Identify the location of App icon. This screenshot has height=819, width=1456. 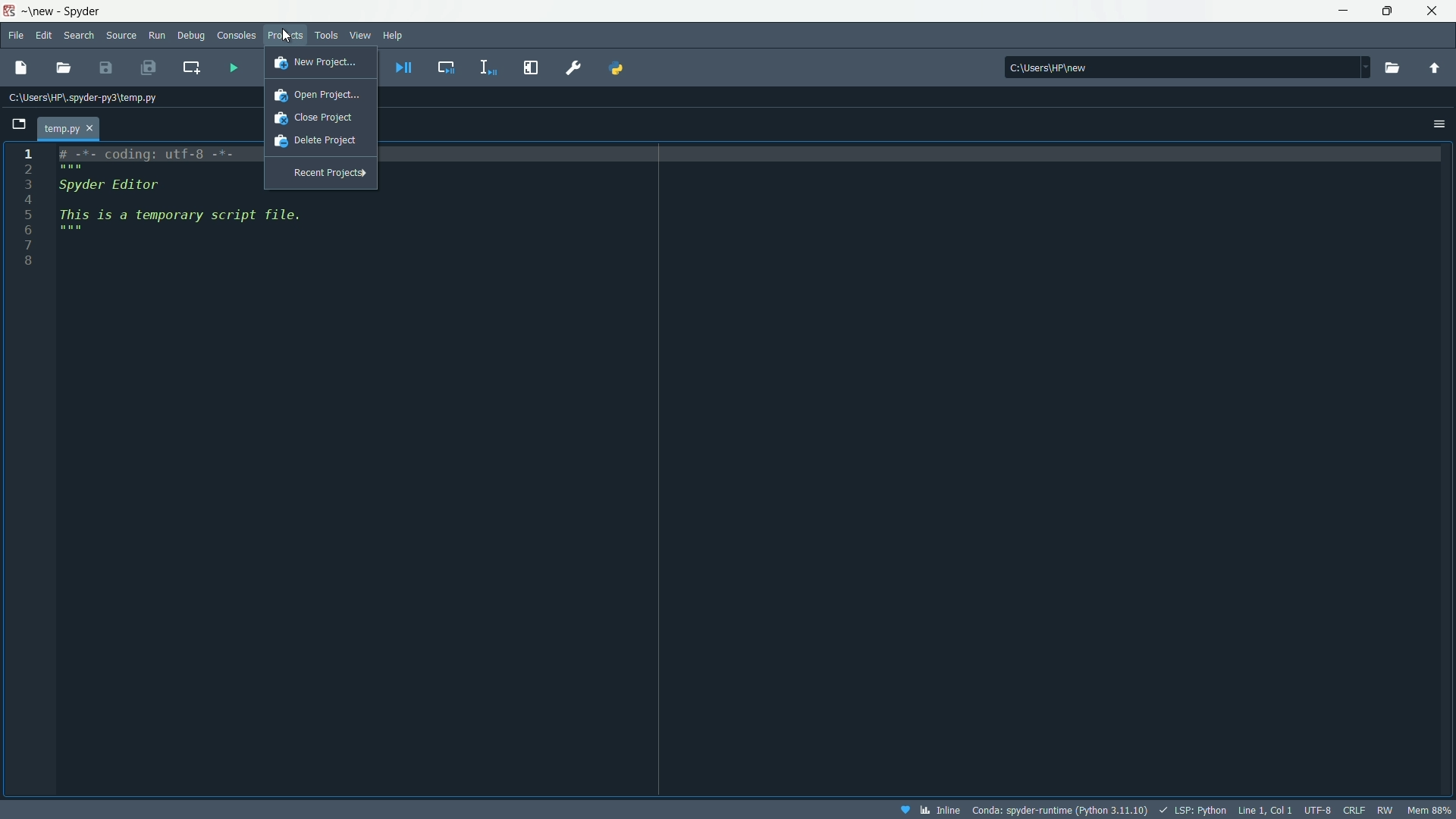
(11, 12).